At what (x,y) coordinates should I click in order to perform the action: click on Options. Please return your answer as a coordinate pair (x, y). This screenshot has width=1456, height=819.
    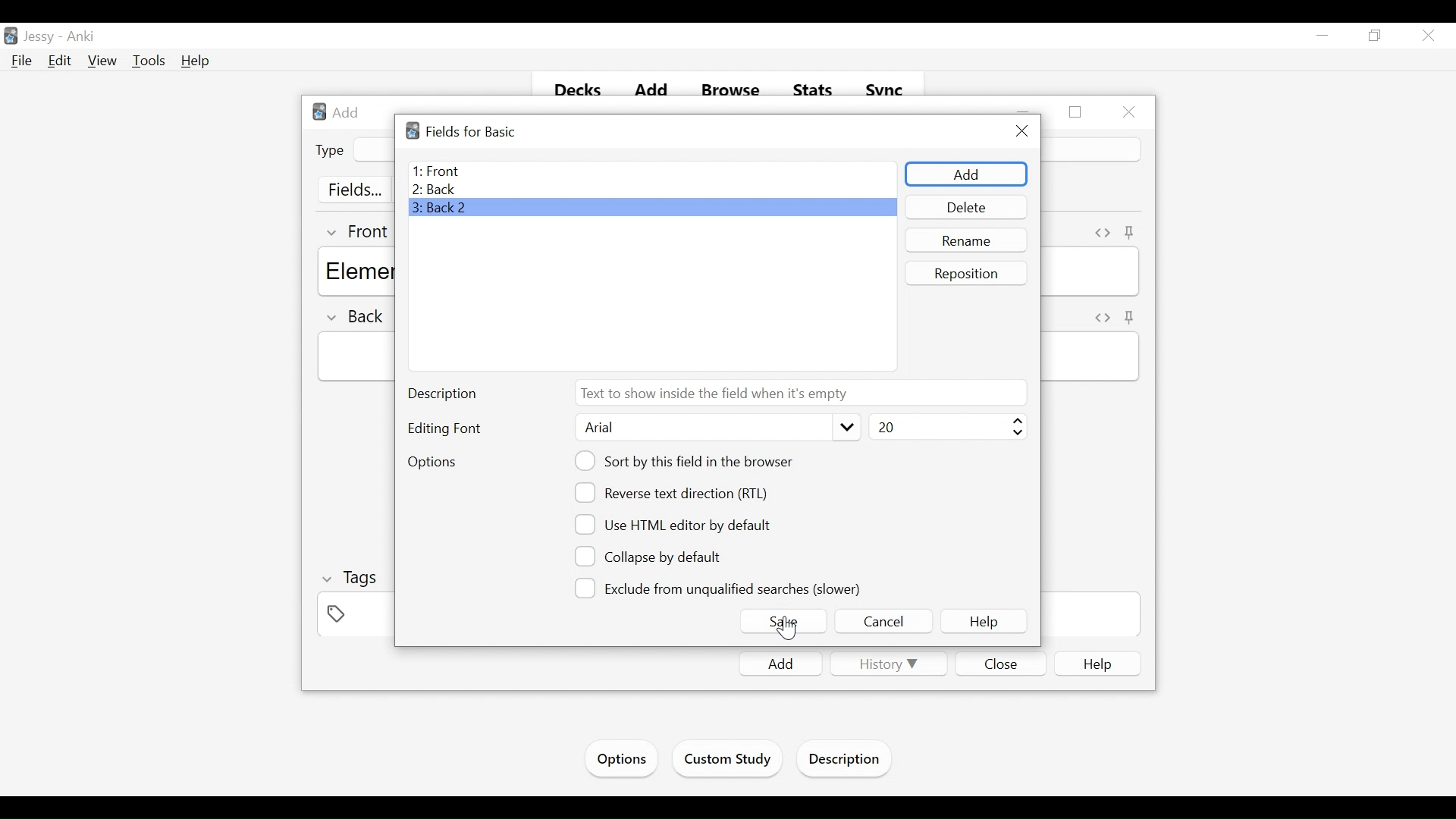
    Looking at the image, I should click on (620, 759).